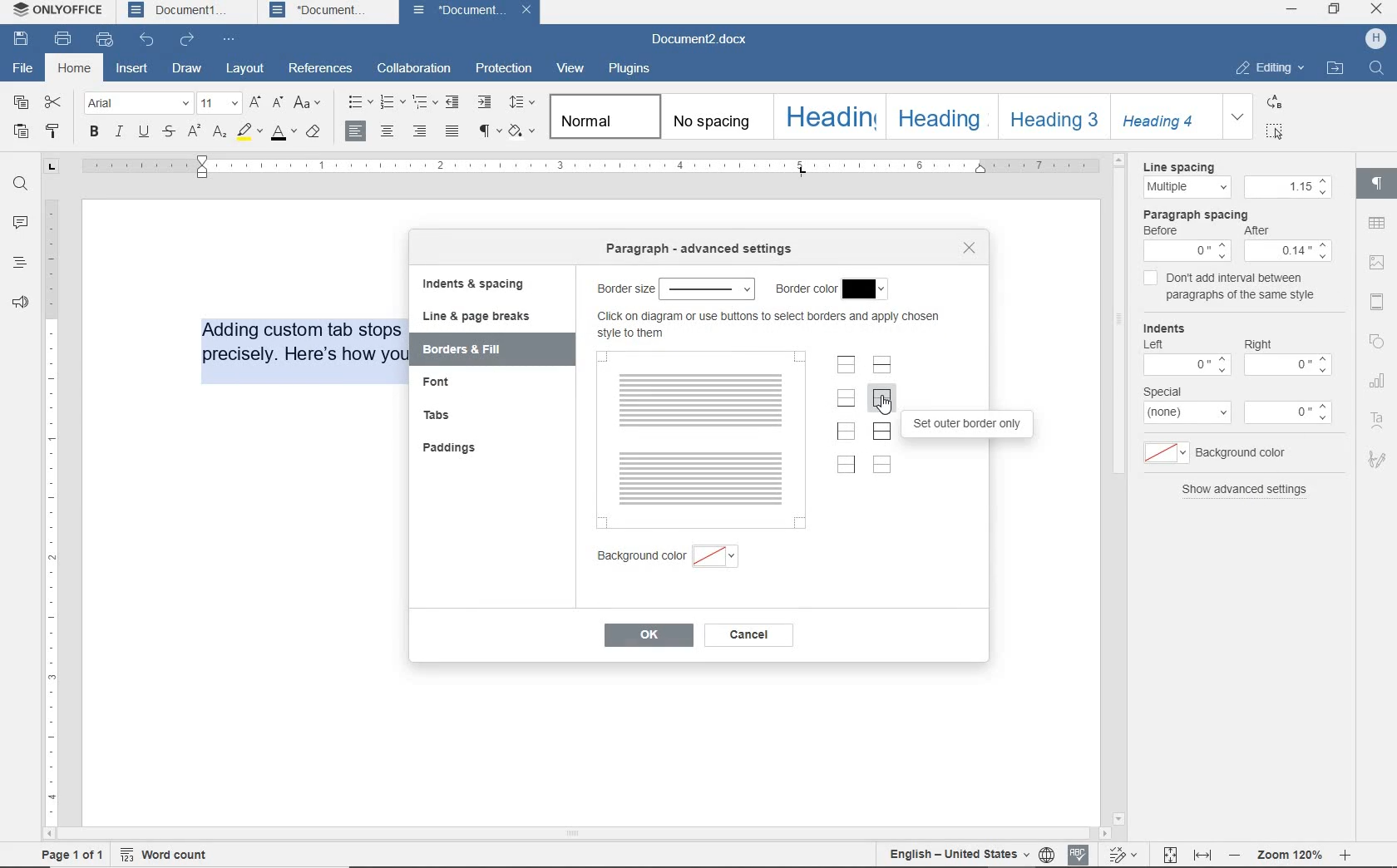 The image size is (1397, 868). Describe the element at coordinates (1232, 854) in the screenshot. I see `zoom out` at that location.